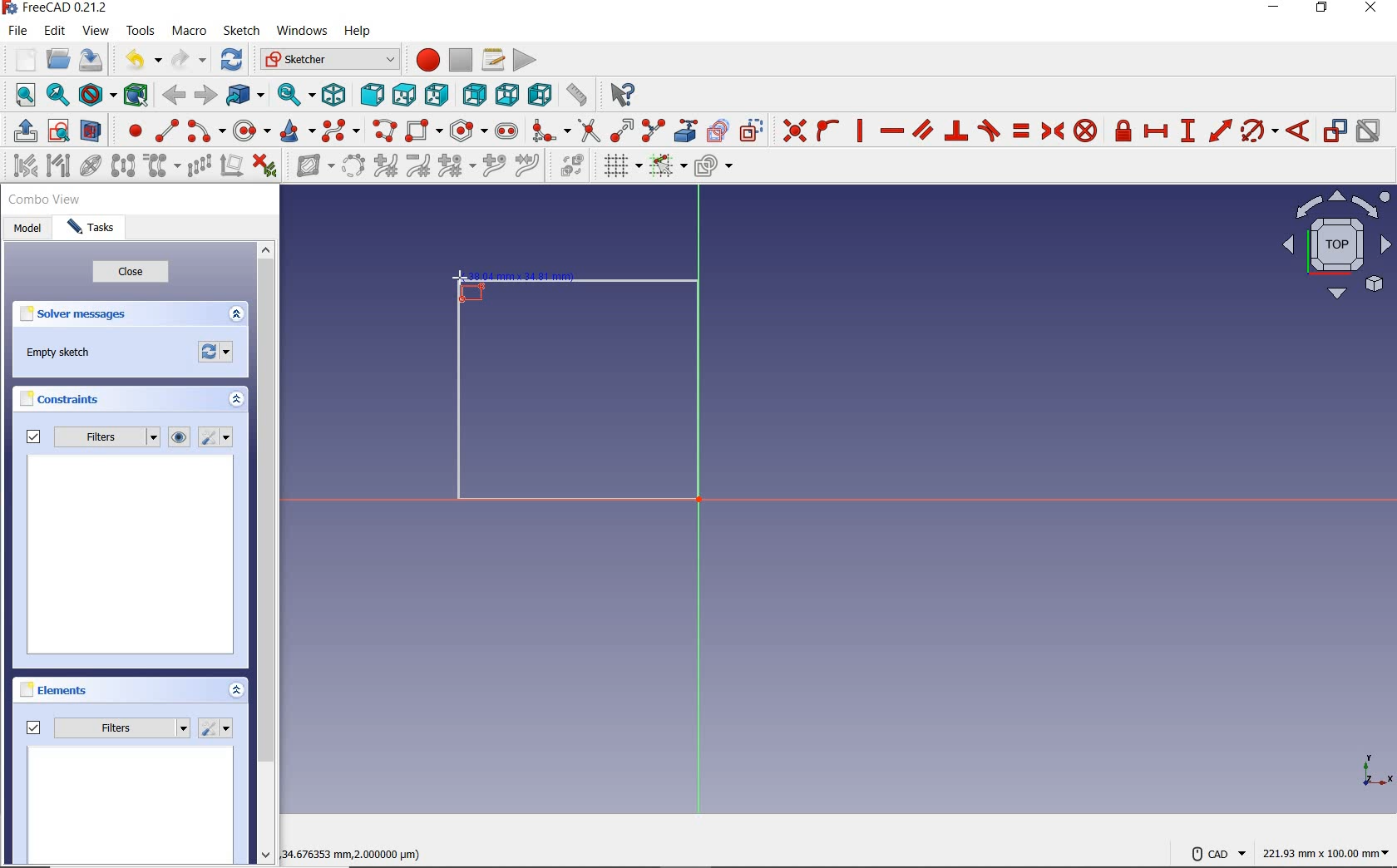  What do you see at coordinates (18, 31) in the screenshot?
I see `file` at bounding box center [18, 31].